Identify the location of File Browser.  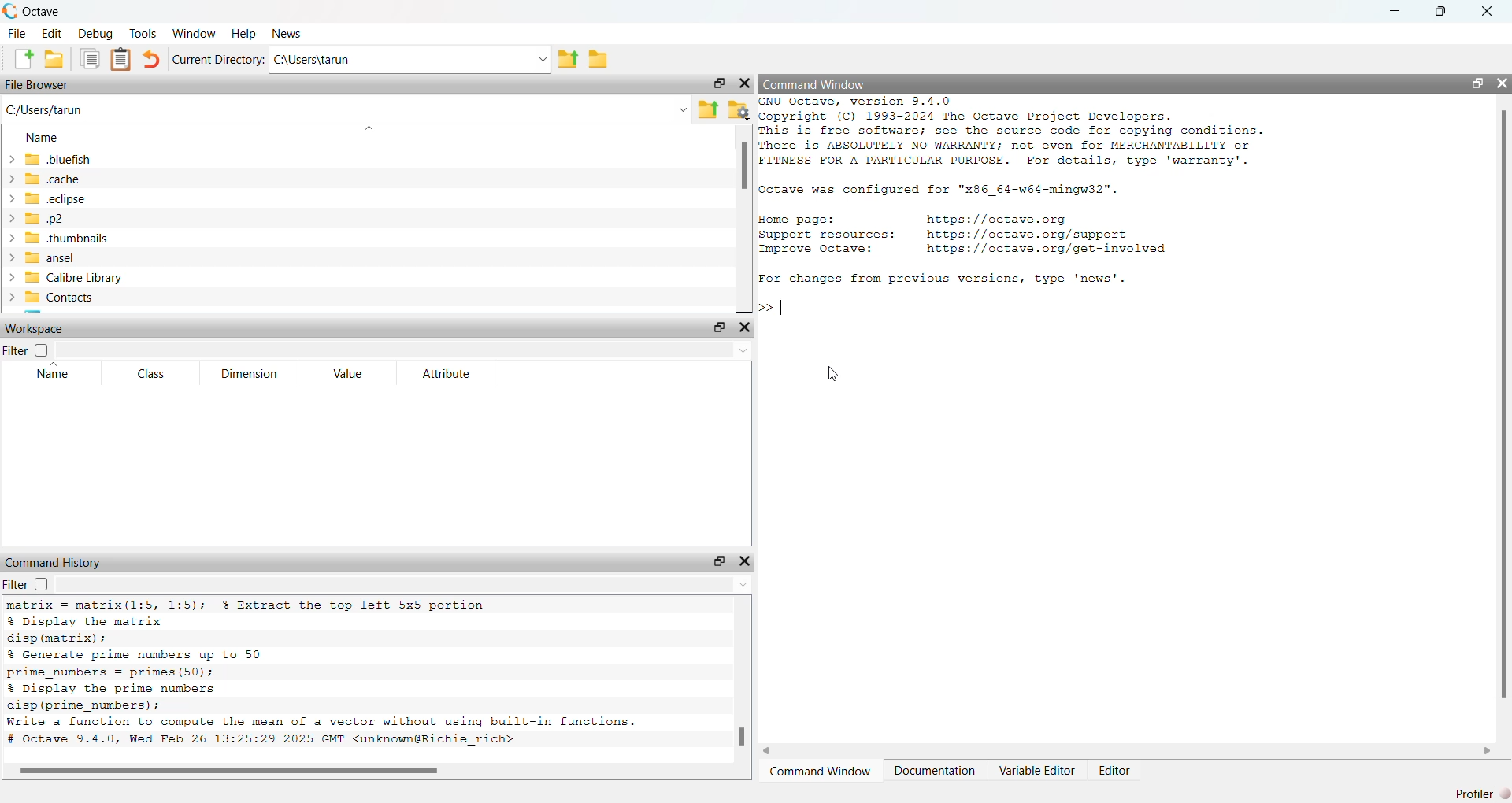
(38, 86).